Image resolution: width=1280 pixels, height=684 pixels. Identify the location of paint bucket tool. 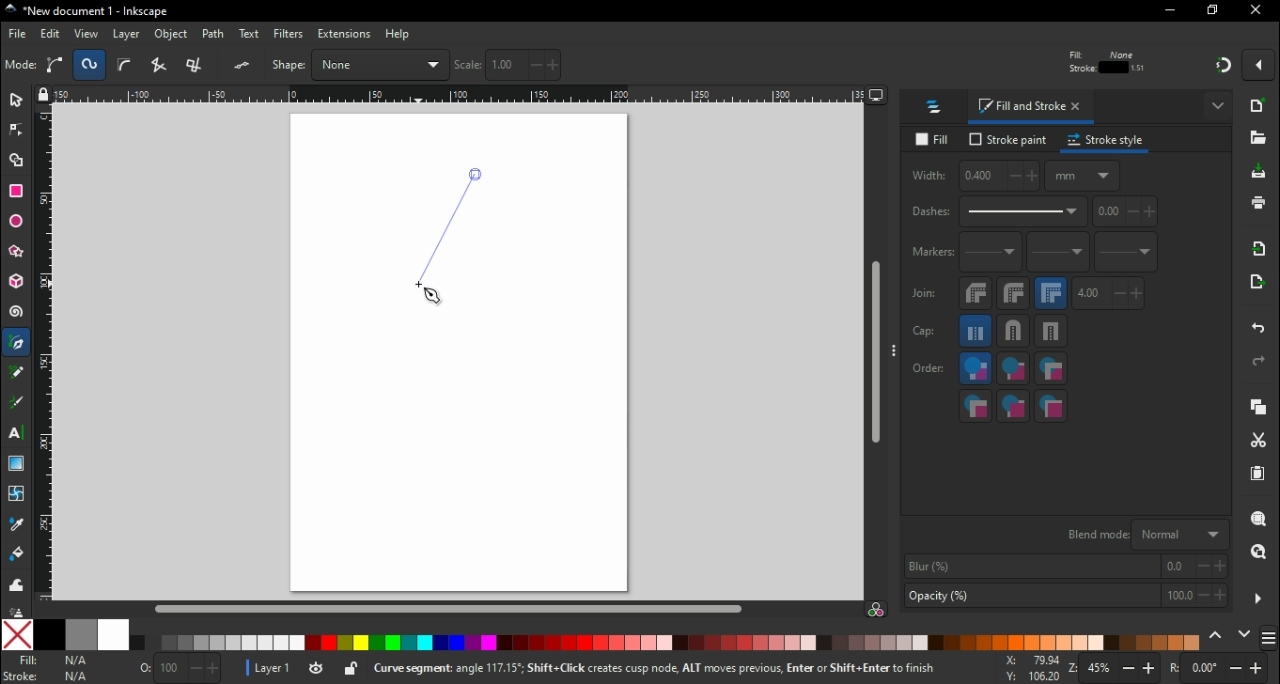
(14, 556).